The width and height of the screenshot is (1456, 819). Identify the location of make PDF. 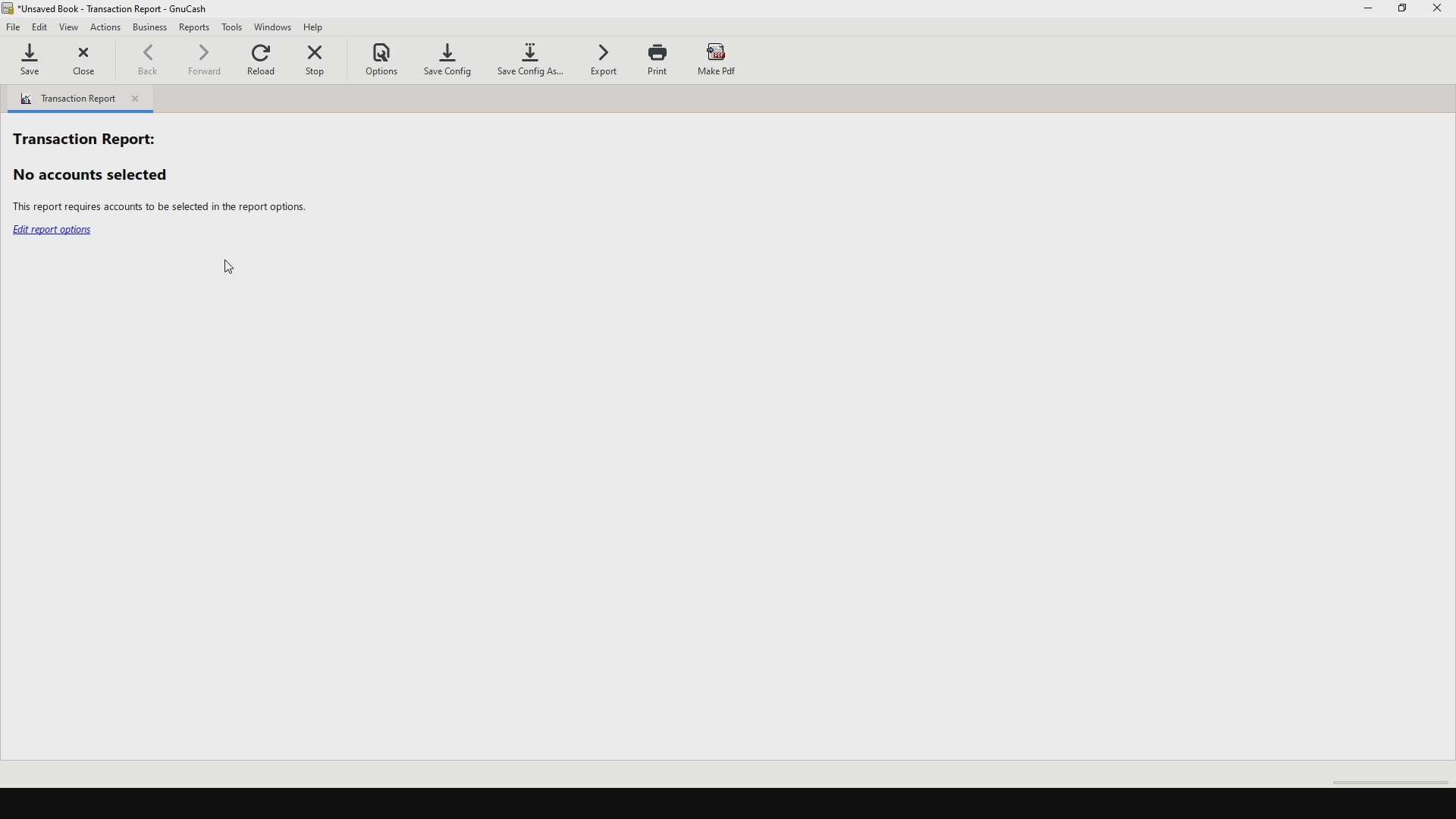
(717, 60).